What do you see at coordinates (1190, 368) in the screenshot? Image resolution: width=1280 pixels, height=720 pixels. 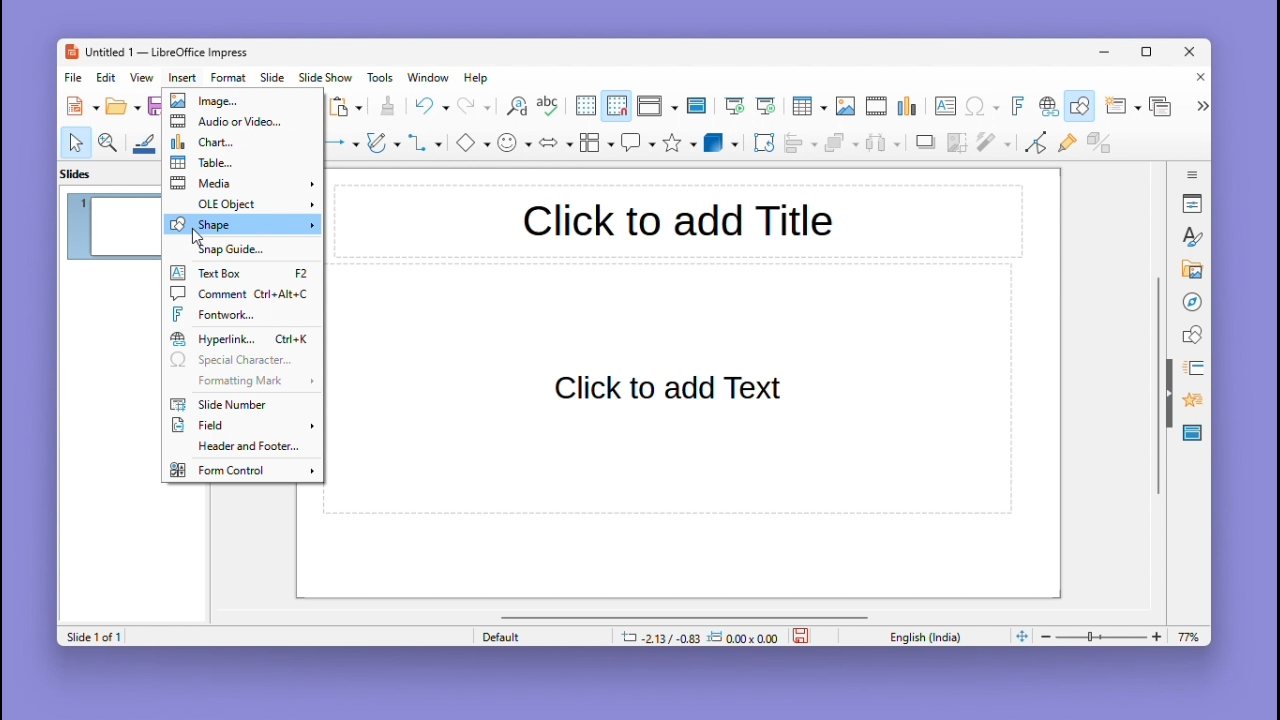 I see `Animation` at bounding box center [1190, 368].